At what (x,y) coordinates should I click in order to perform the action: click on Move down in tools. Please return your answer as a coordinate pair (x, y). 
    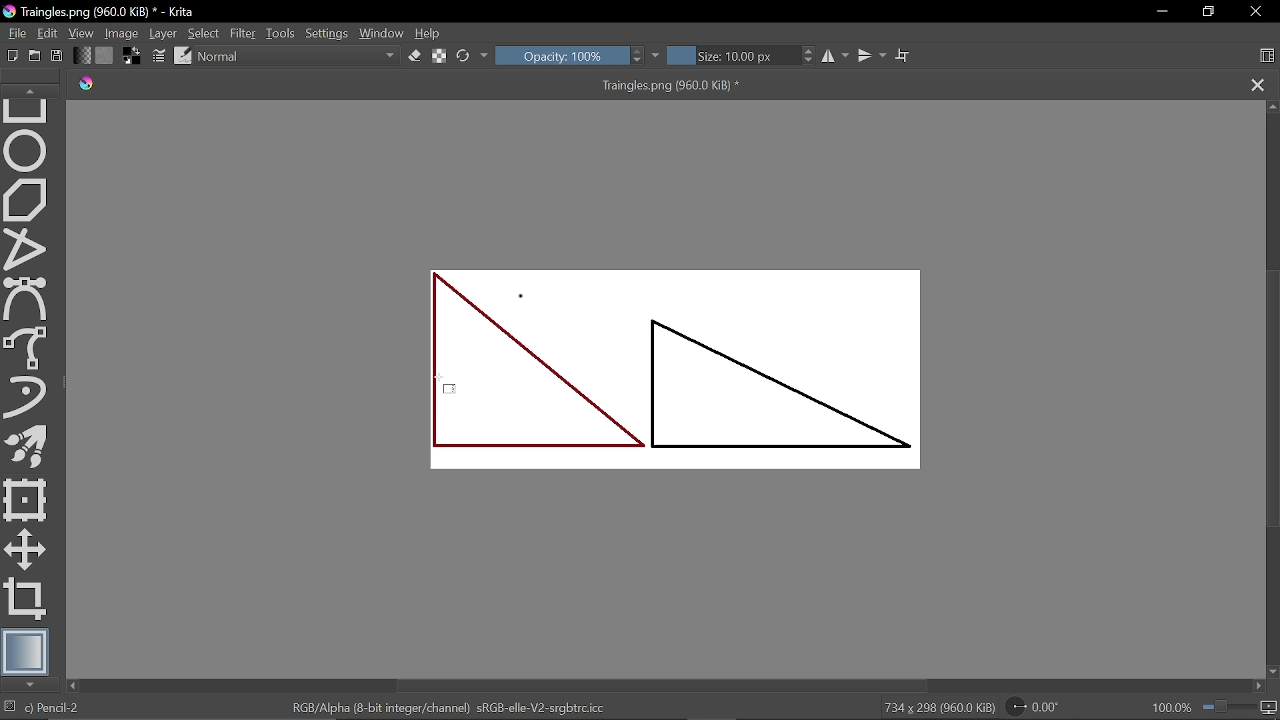
    Looking at the image, I should click on (32, 685).